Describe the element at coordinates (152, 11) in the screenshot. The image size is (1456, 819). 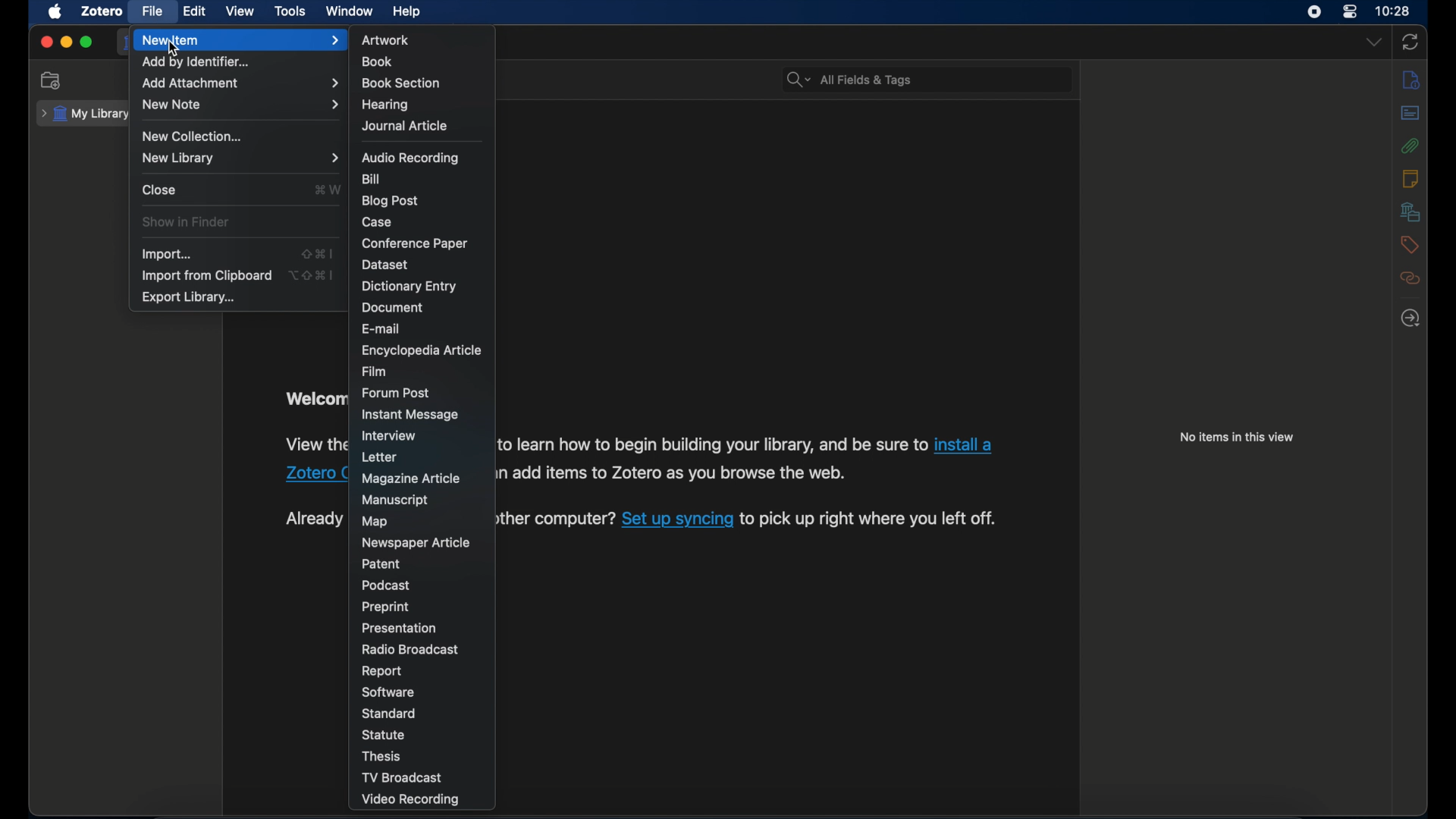
I see `file` at that location.